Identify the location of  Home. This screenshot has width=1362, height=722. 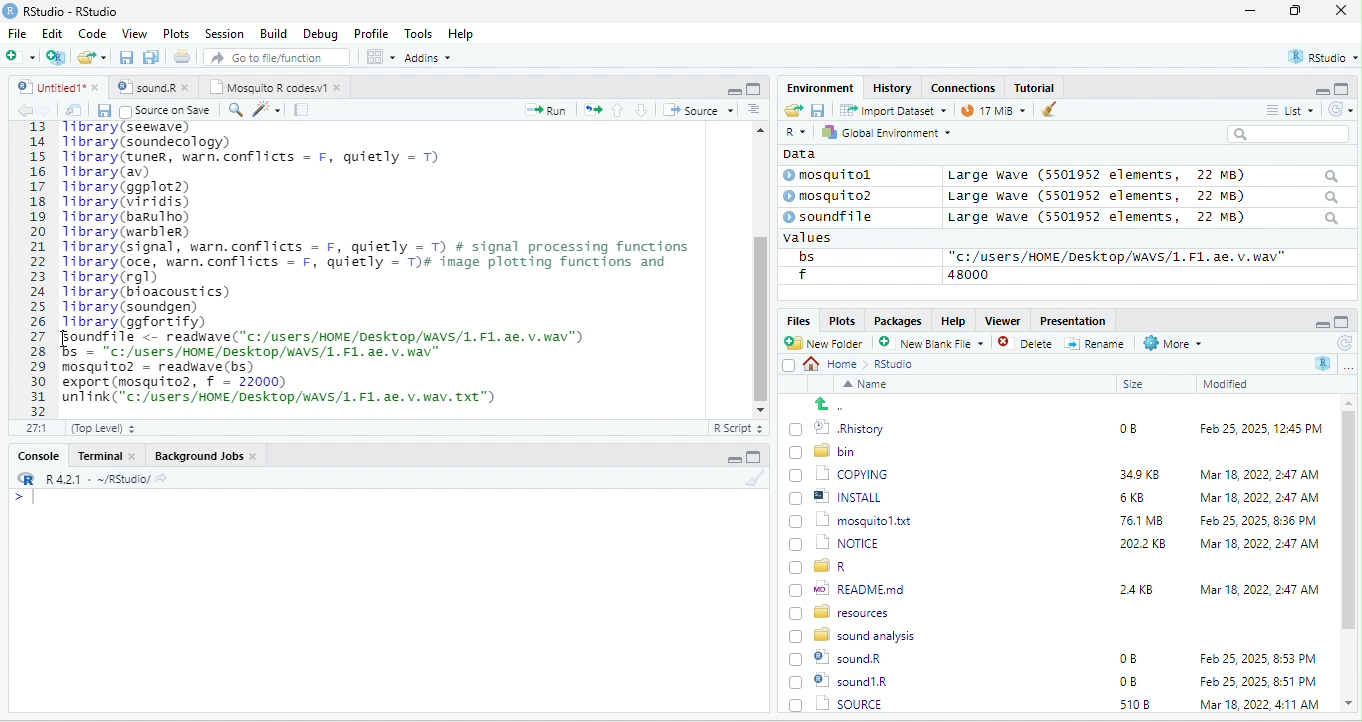
(836, 363).